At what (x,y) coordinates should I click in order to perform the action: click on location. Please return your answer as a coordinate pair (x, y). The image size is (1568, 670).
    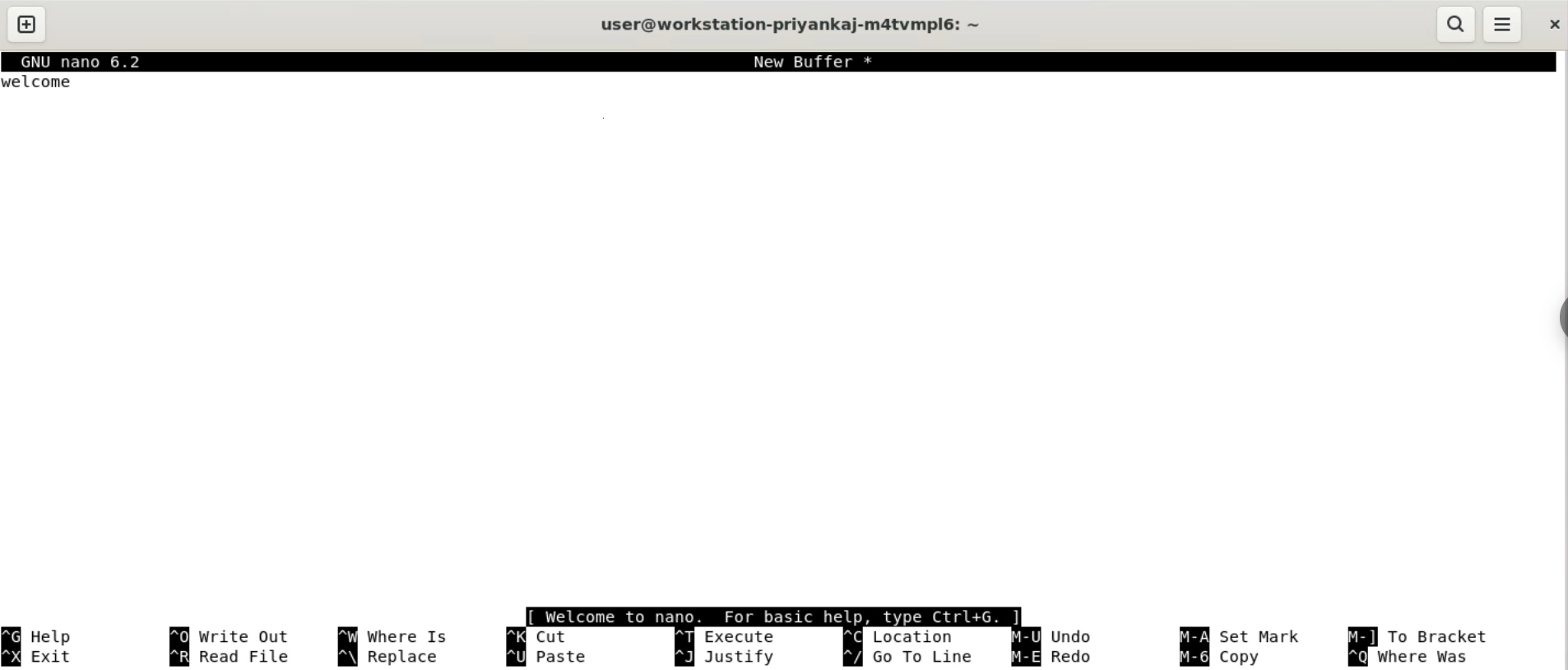
    Looking at the image, I should click on (900, 636).